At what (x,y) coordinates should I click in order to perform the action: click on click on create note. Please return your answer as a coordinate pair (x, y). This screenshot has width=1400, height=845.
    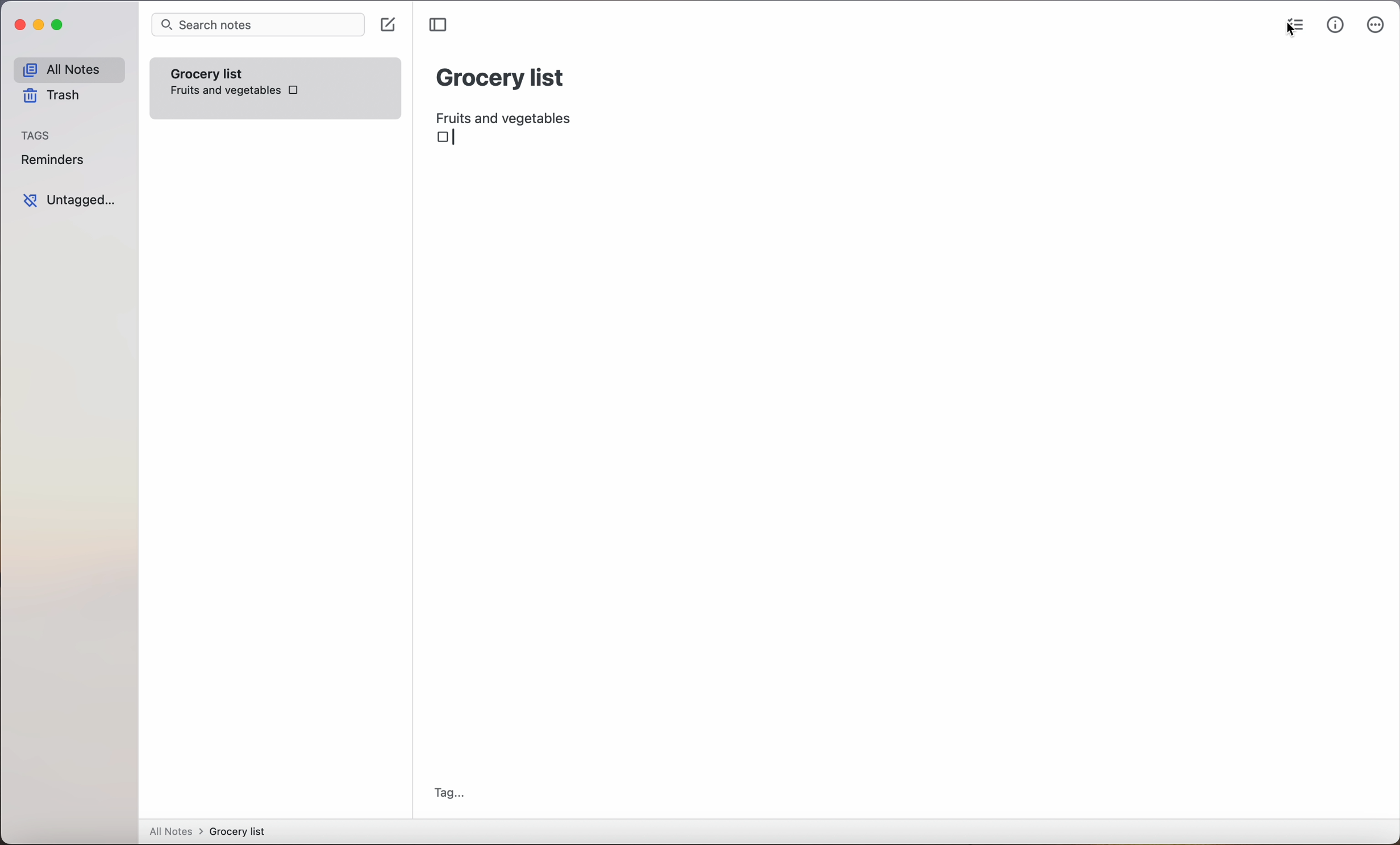
    Looking at the image, I should click on (390, 26).